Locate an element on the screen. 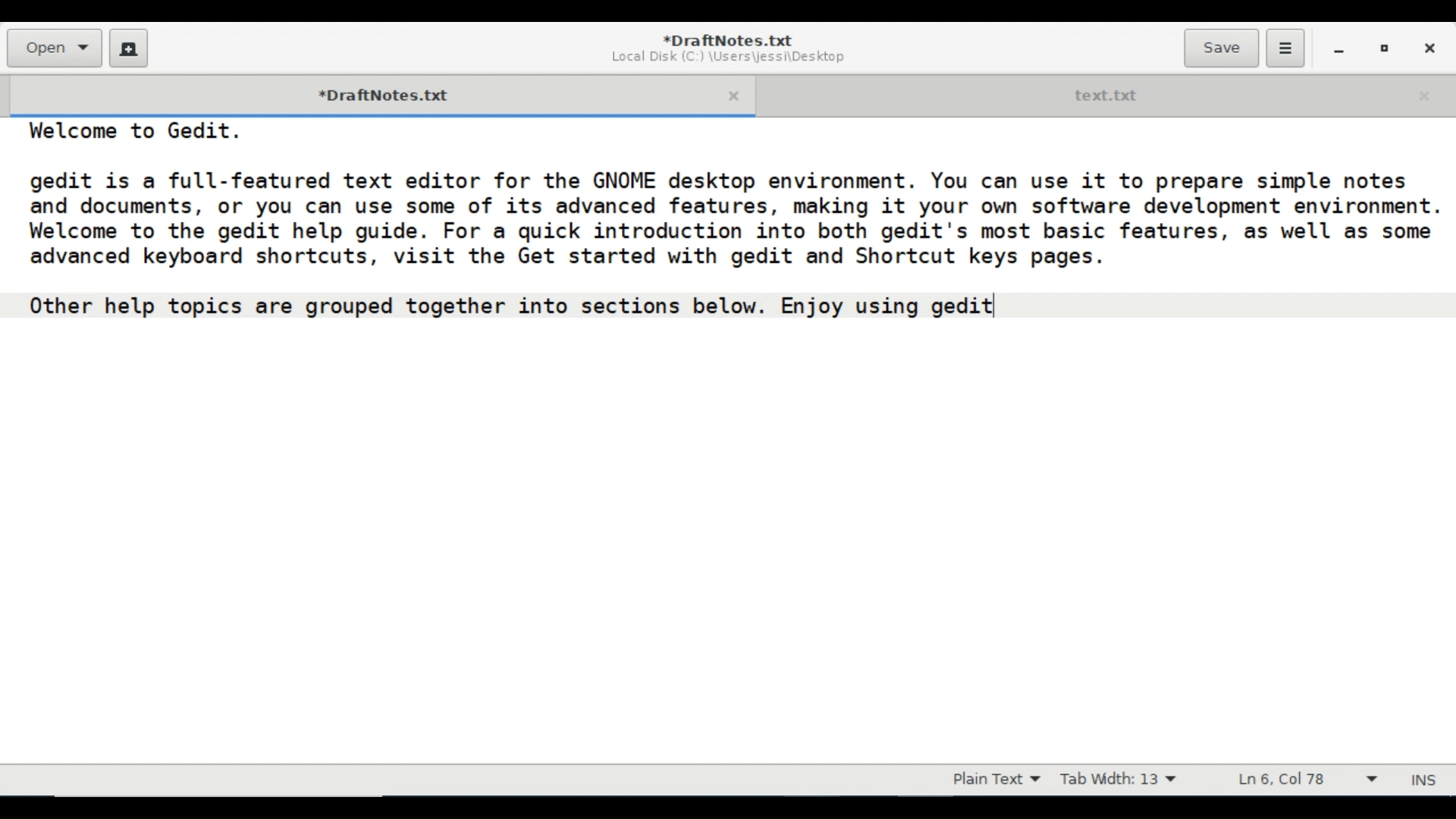 The height and width of the screenshot is (819, 1456). Application menu is located at coordinates (1285, 49).